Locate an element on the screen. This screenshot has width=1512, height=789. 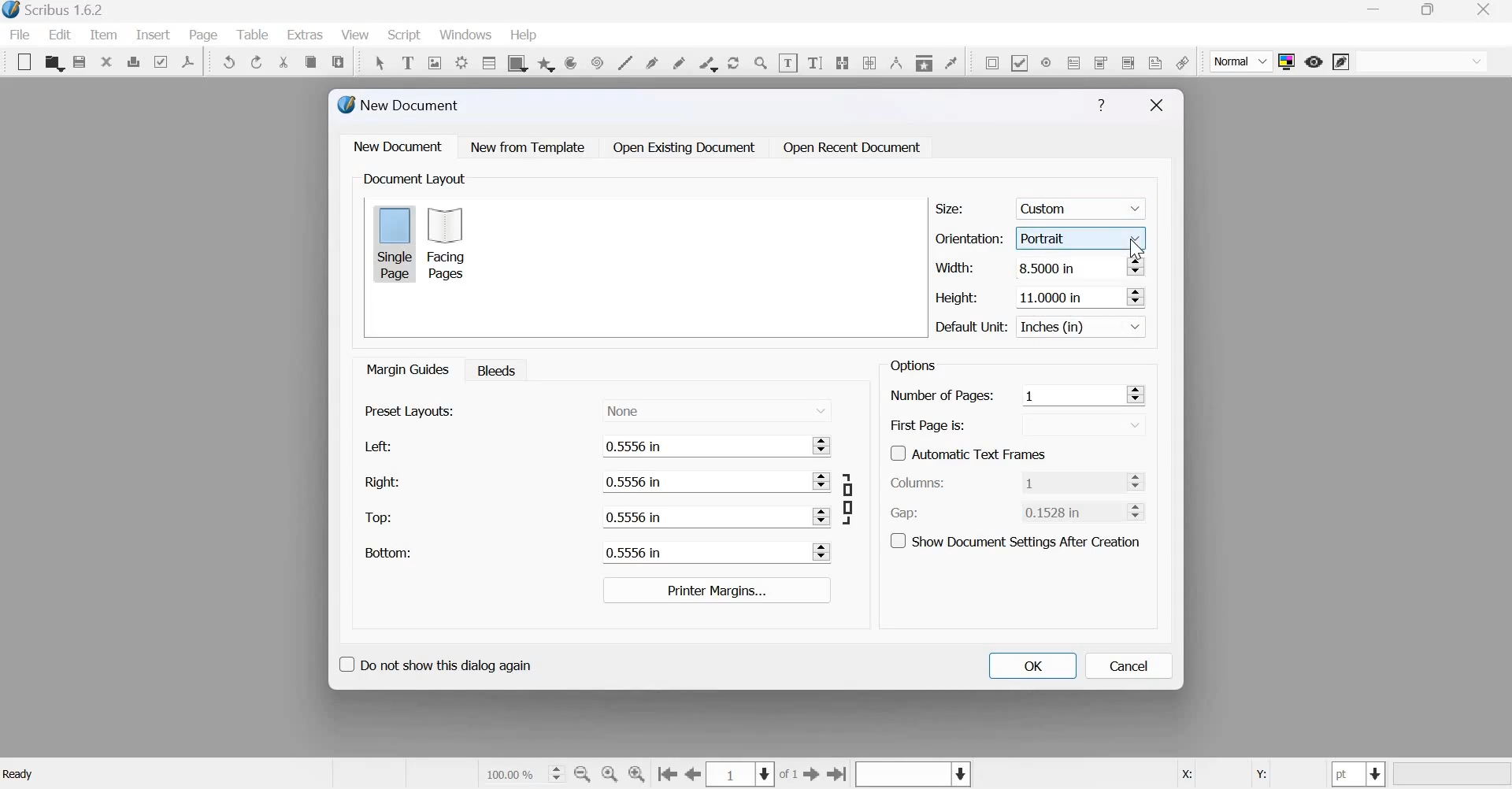
Bleeds is located at coordinates (492, 369).